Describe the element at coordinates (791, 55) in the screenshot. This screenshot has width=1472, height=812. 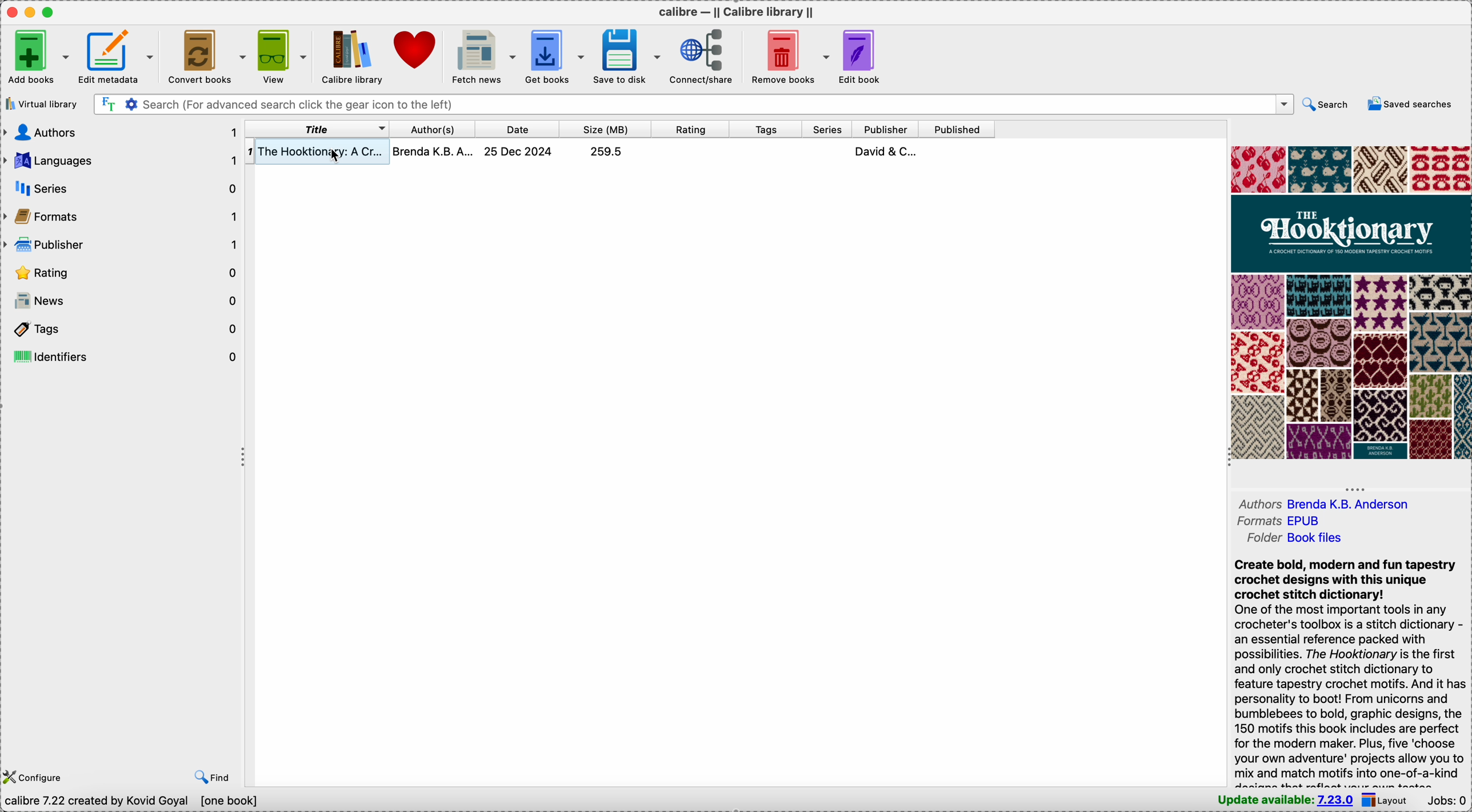
I see `remove books` at that location.